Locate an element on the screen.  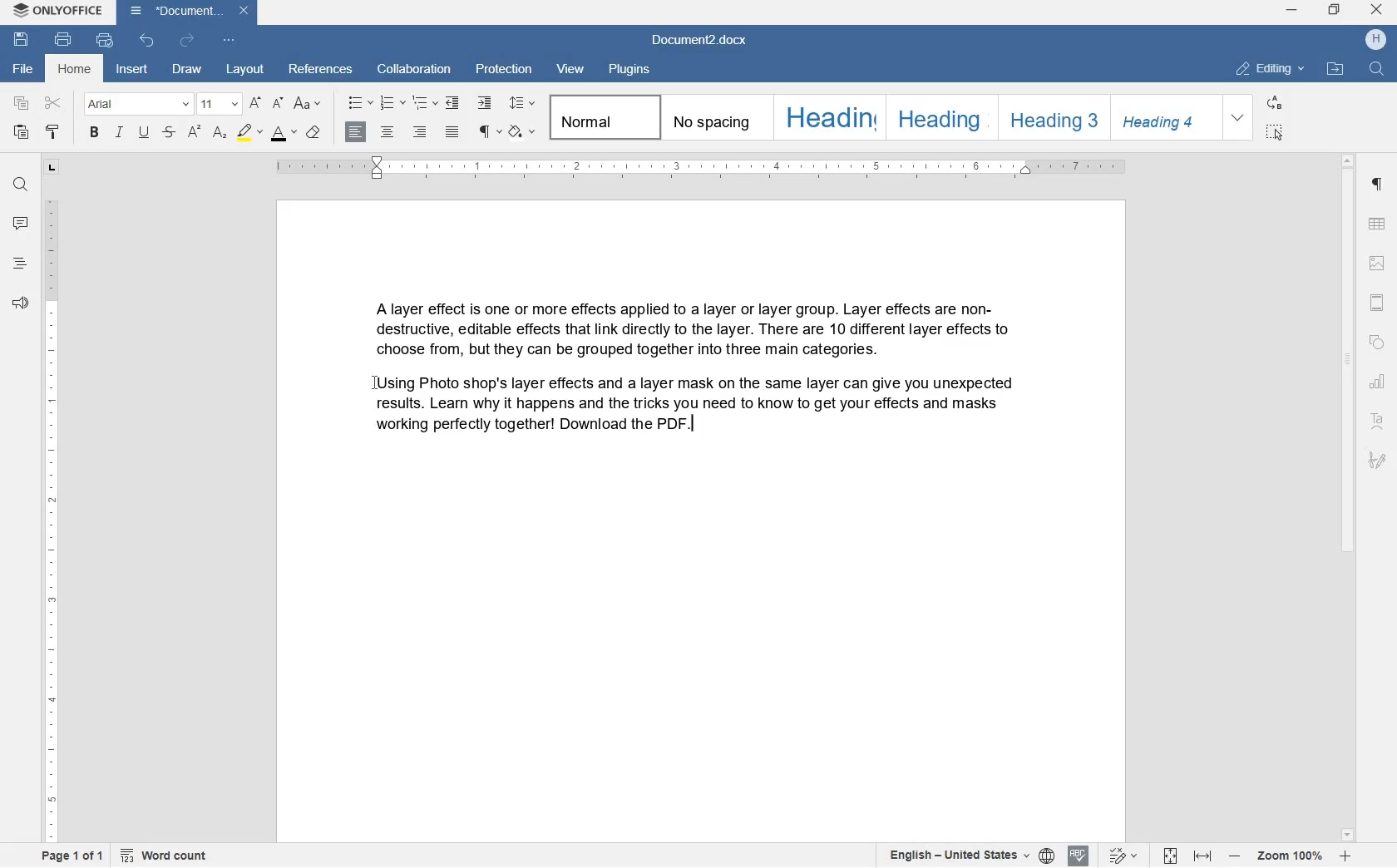
PARAGRAPH SETTINGS is located at coordinates (1380, 186).